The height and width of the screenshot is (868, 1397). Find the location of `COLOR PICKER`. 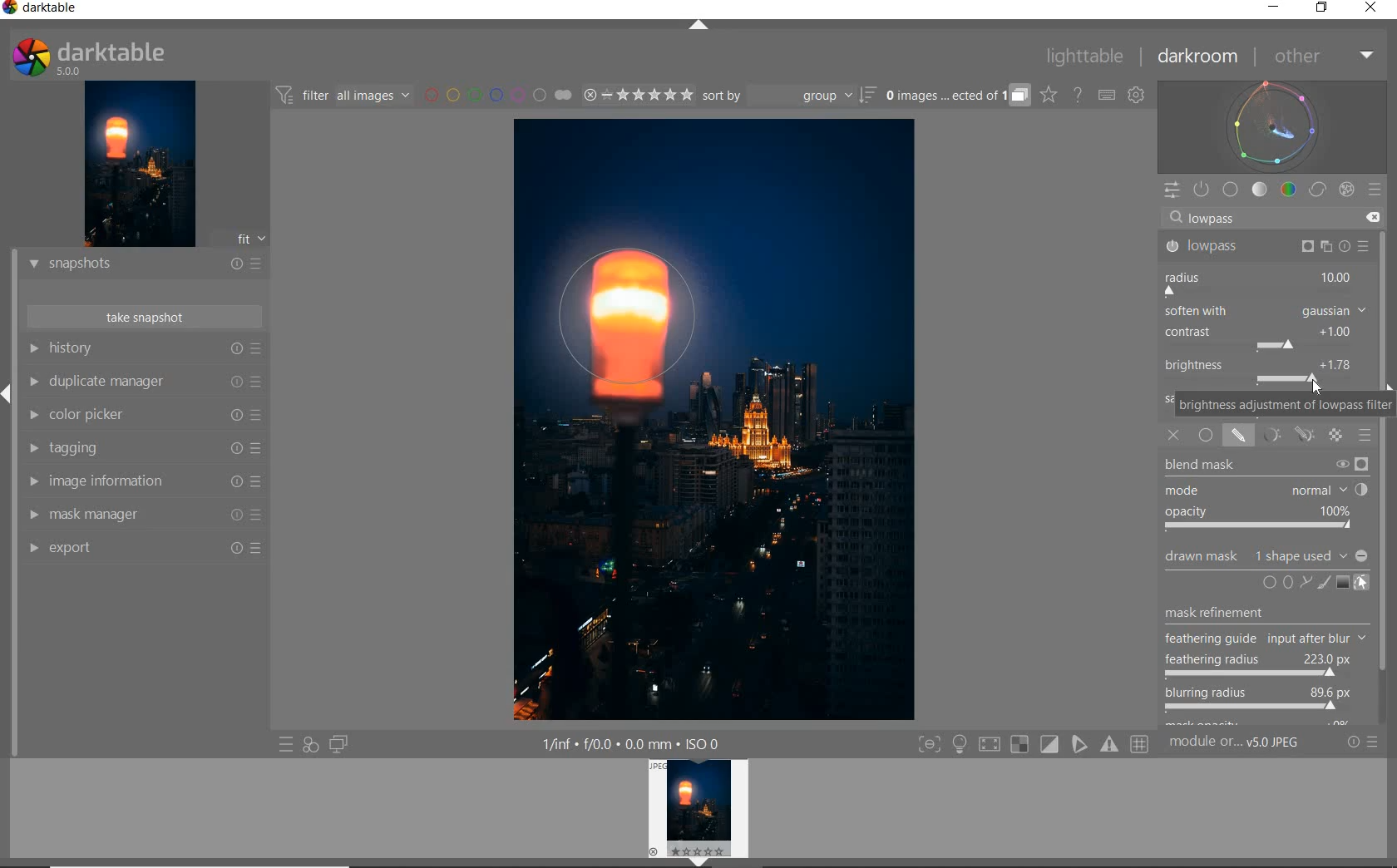

COLOR PICKER is located at coordinates (146, 416).